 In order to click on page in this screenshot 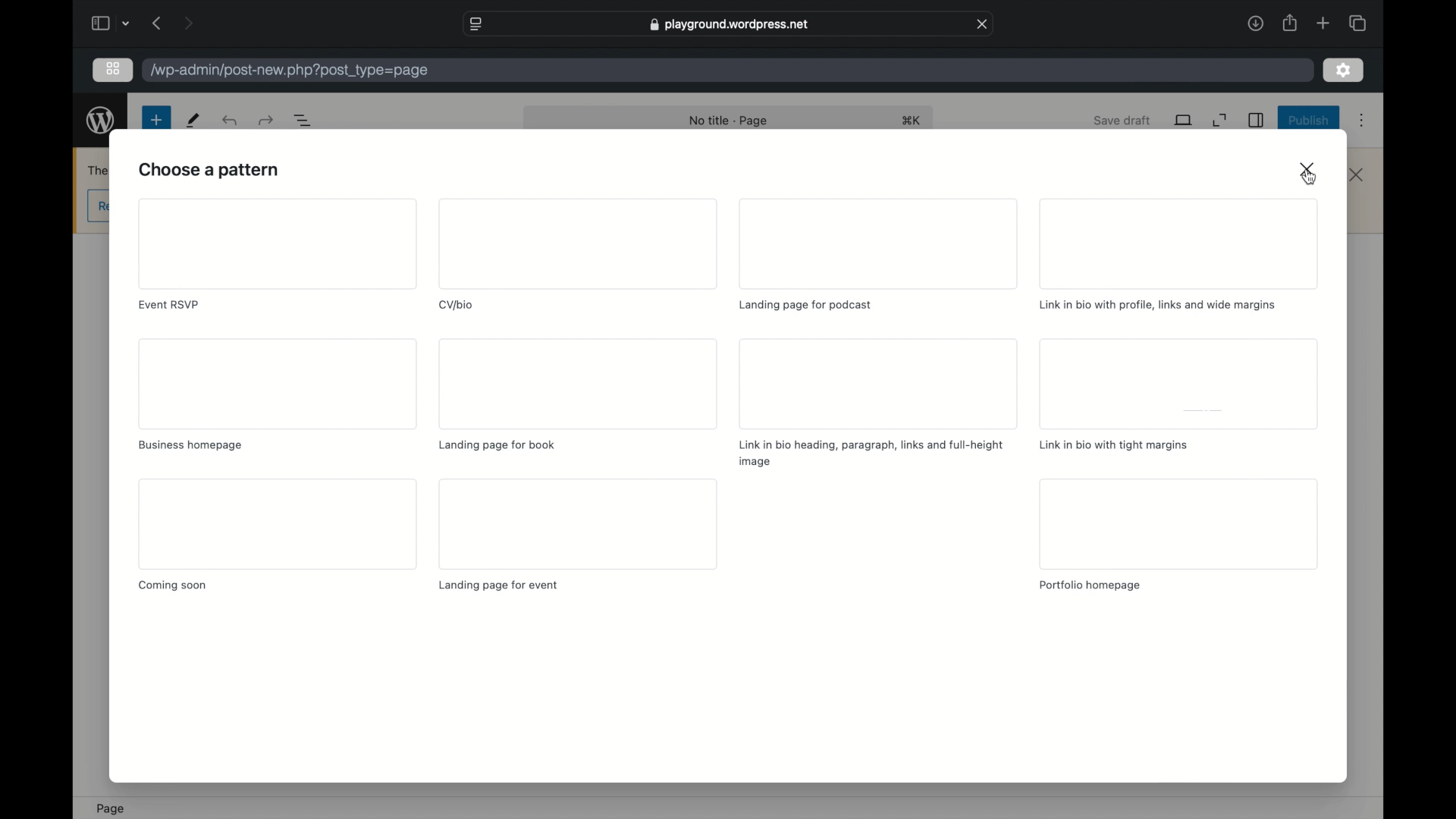, I will do `click(111, 809)`.